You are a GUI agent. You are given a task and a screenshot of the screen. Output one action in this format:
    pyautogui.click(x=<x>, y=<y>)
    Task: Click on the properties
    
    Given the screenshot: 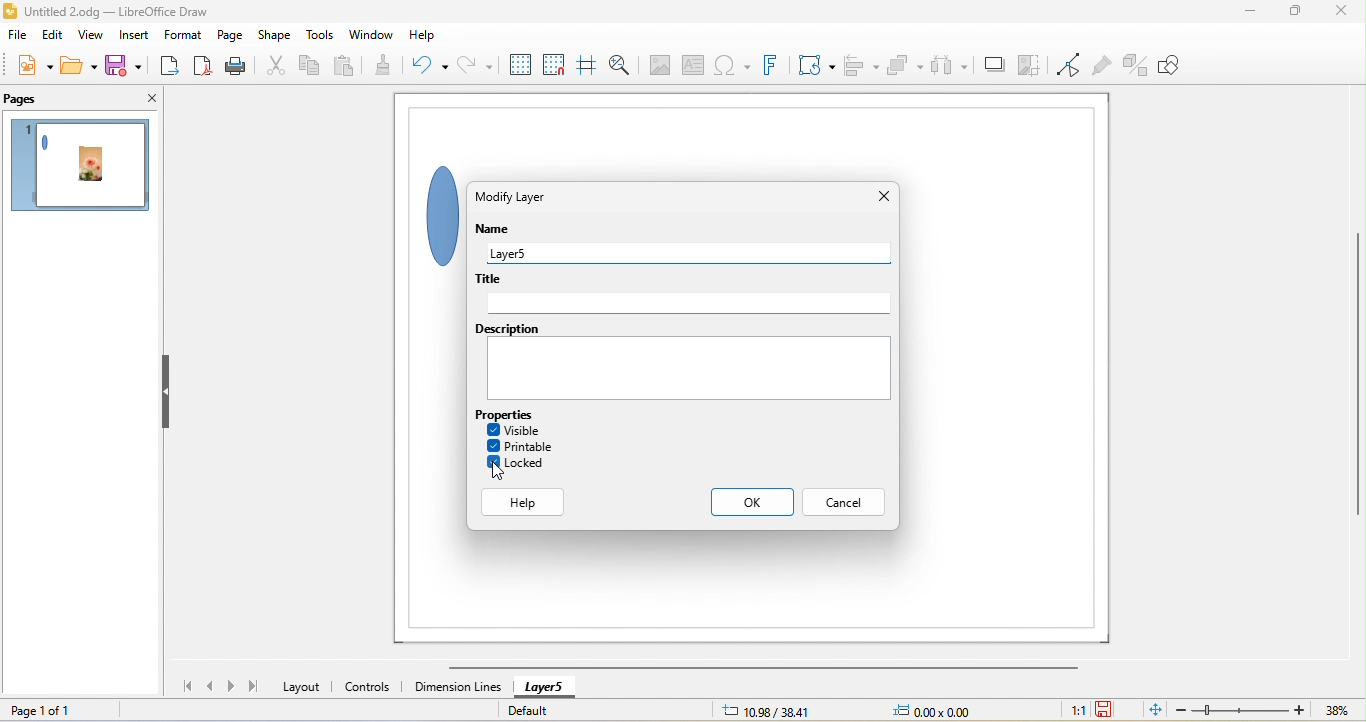 What is the action you would take?
    pyautogui.click(x=518, y=413)
    